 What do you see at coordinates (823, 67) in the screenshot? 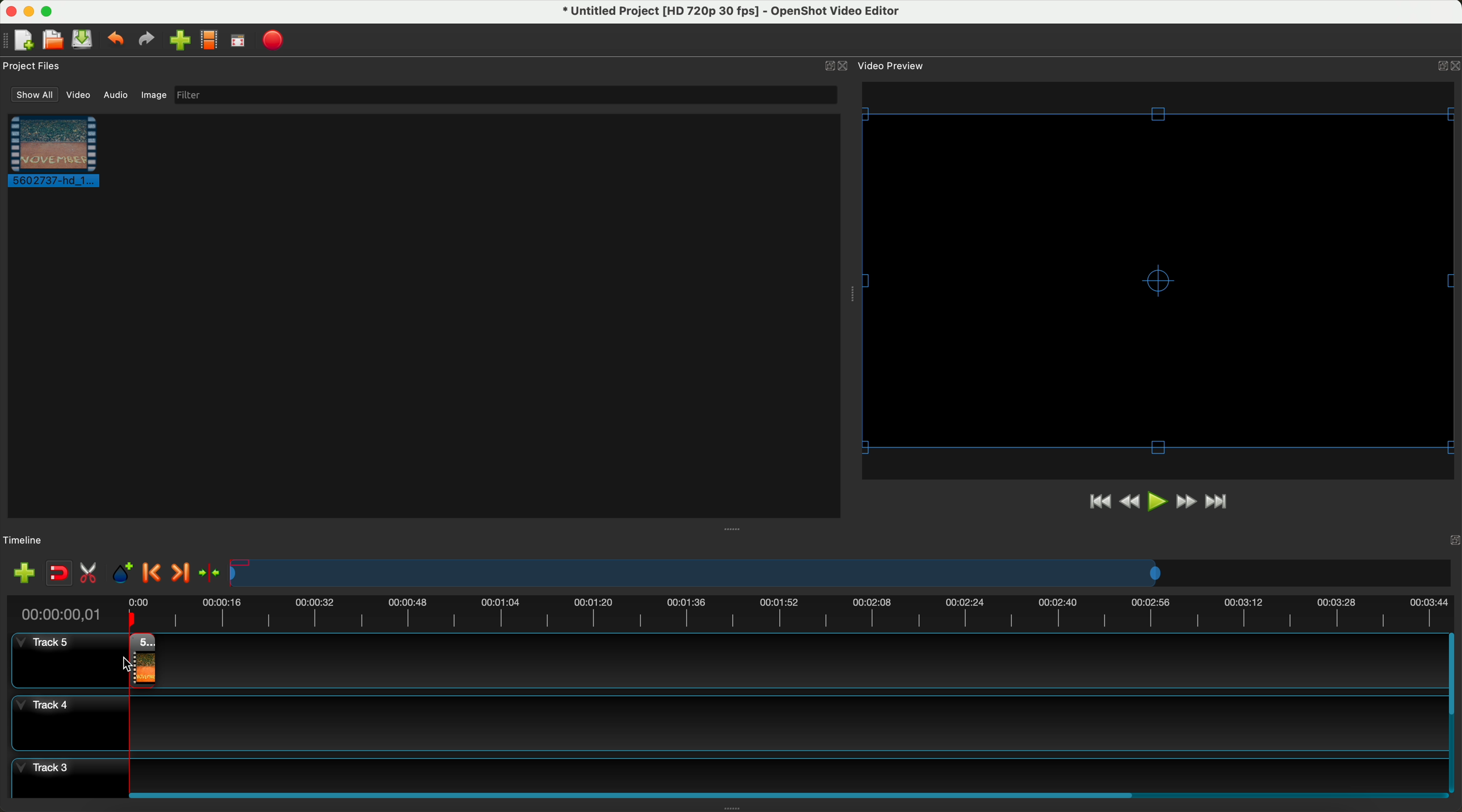
I see `minimize` at bounding box center [823, 67].